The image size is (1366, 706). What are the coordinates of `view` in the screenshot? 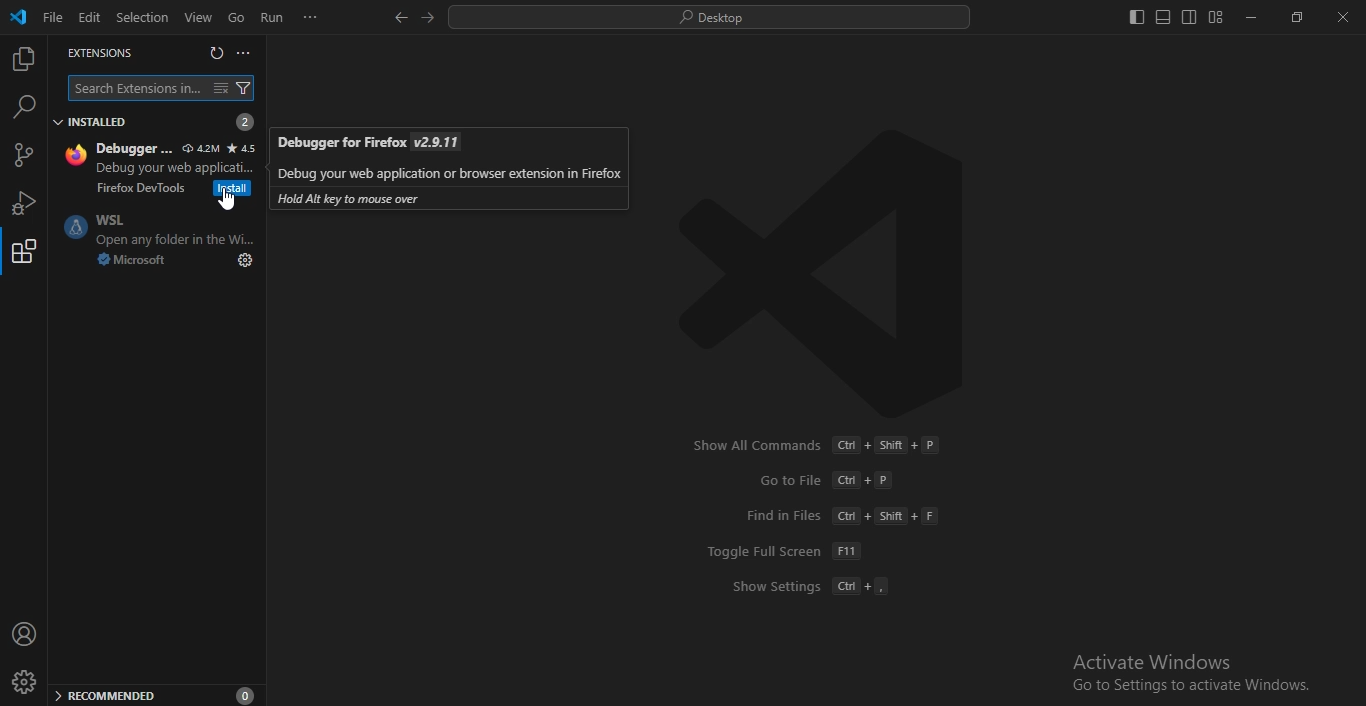 It's located at (198, 16).